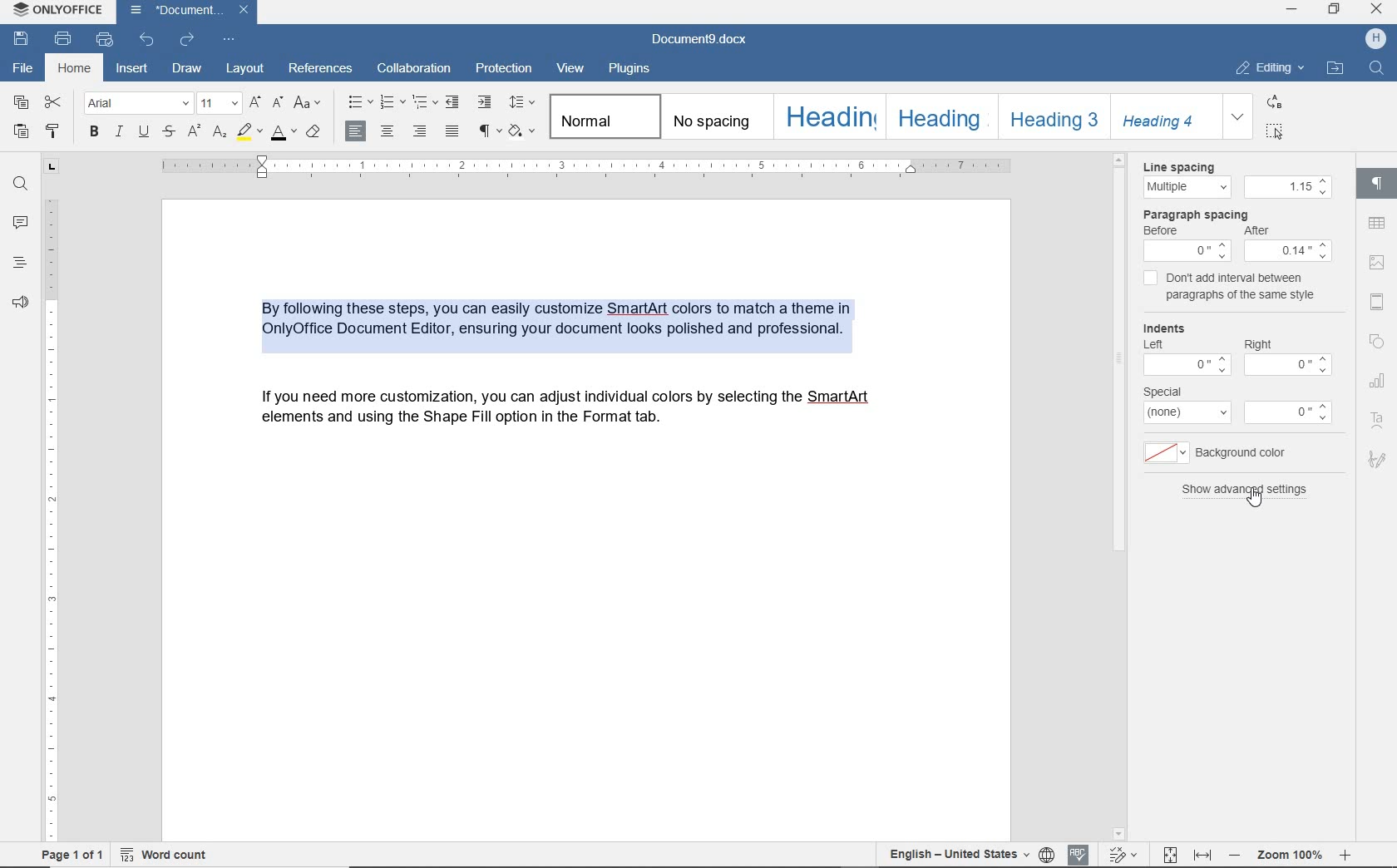  Describe the element at coordinates (416, 69) in the screenshot. I see `collaboration` at that location.